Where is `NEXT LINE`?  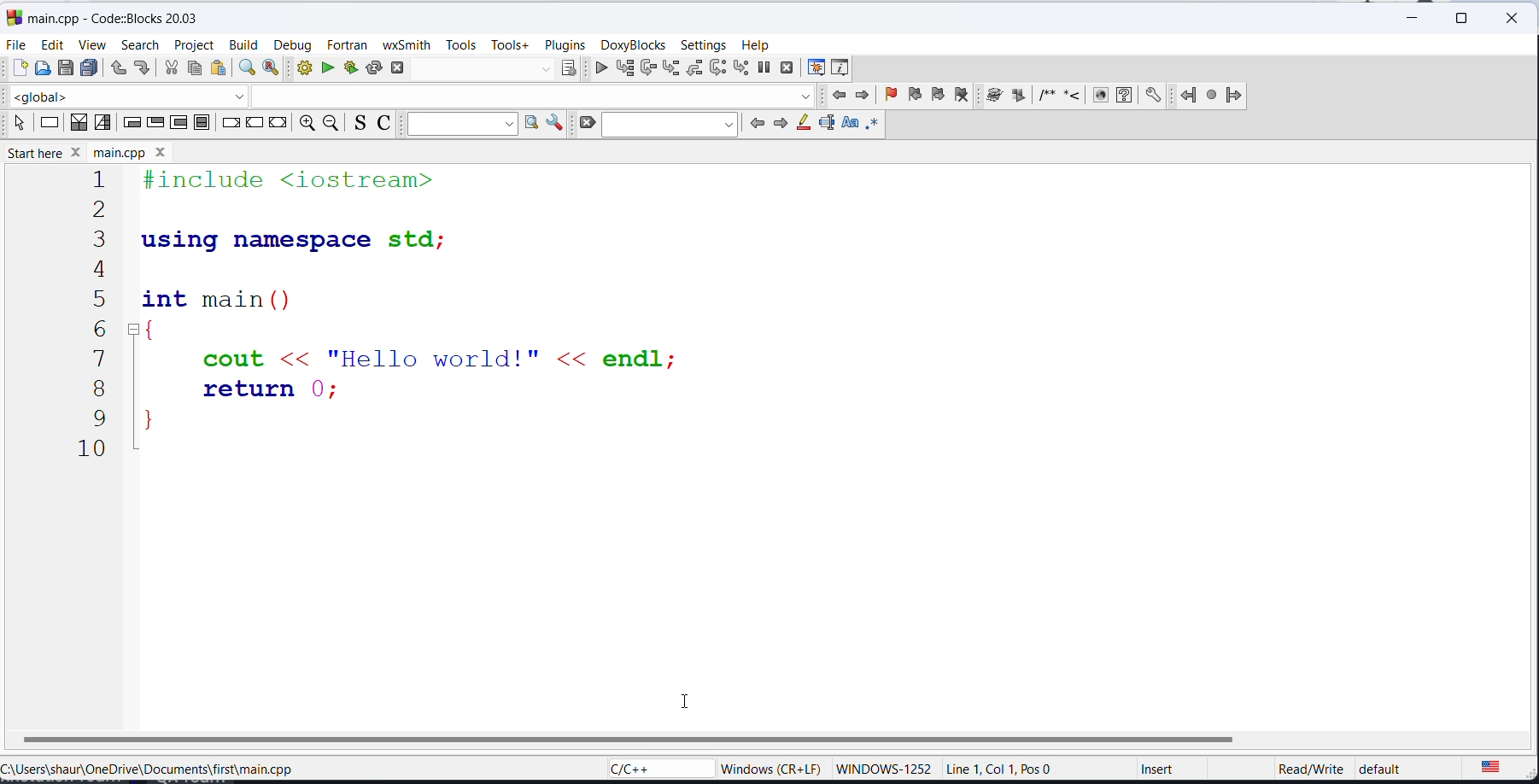 NEXT LINE is located at coordinates (647, 69).